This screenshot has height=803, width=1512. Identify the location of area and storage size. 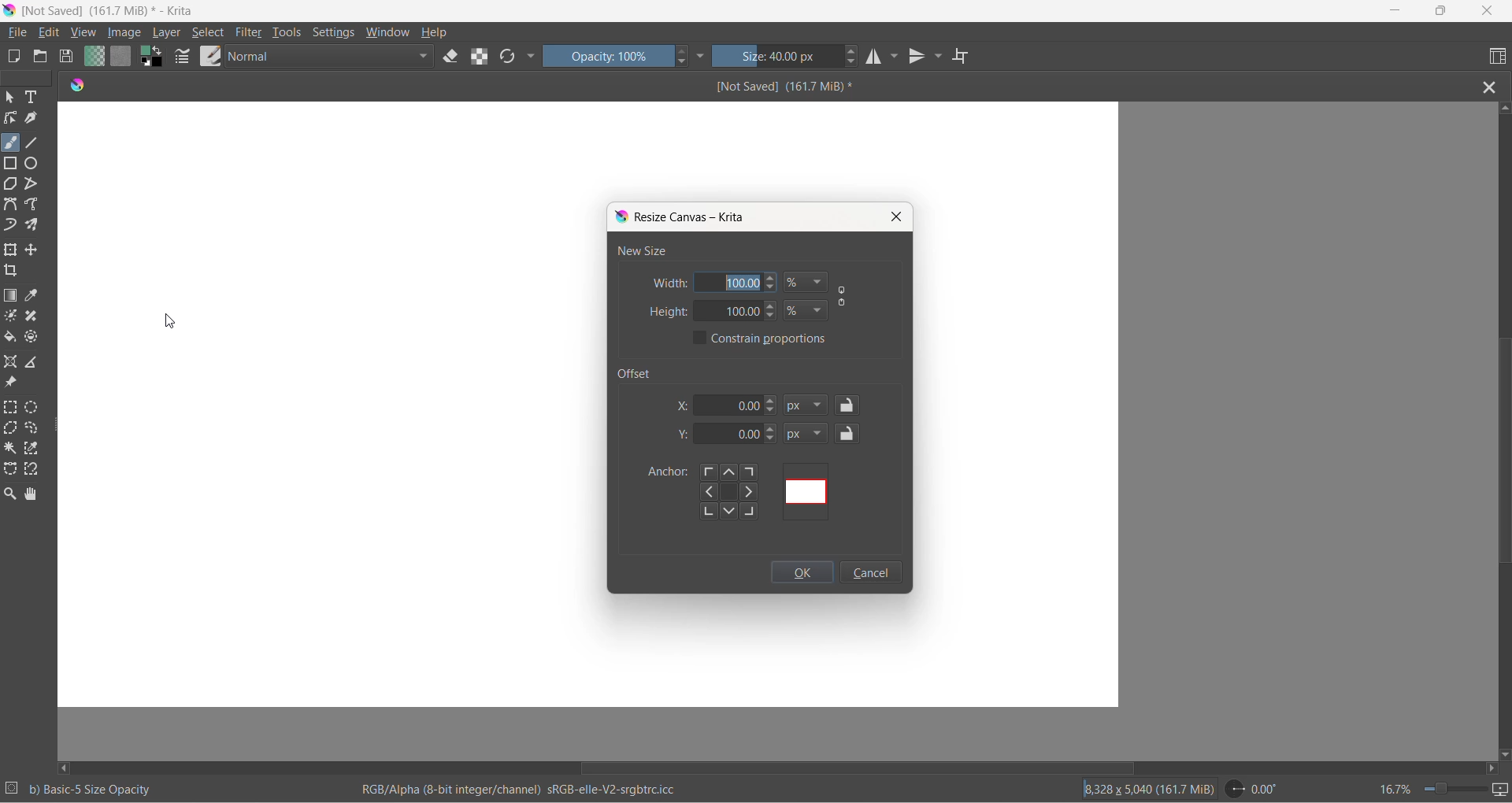
(1149, 788).